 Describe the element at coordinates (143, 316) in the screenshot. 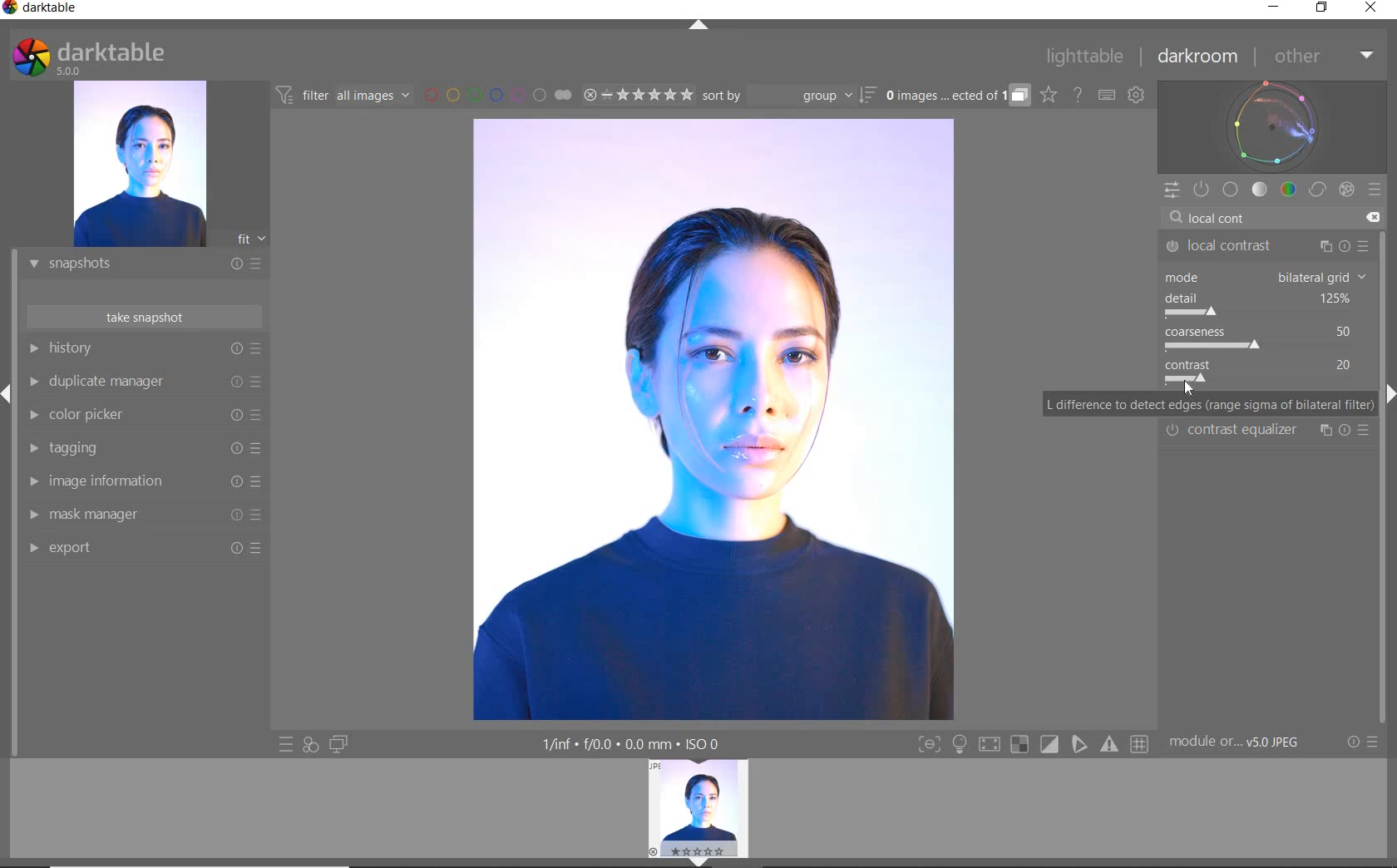

I see `TAKE SNAPSHOT` at that location.